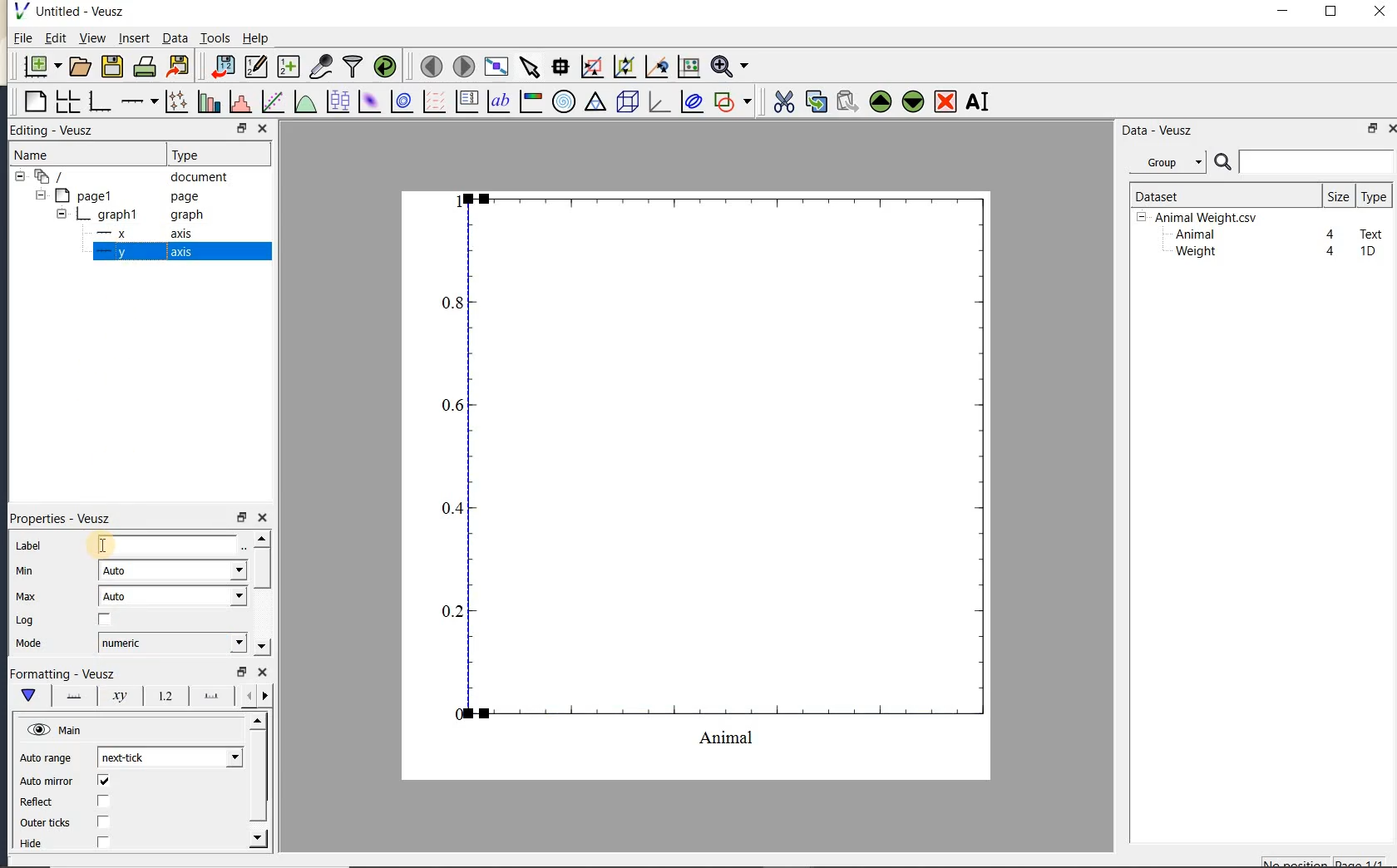 This screenshot has height=868, width=1397. I want to click on Label, so click(31, 546).